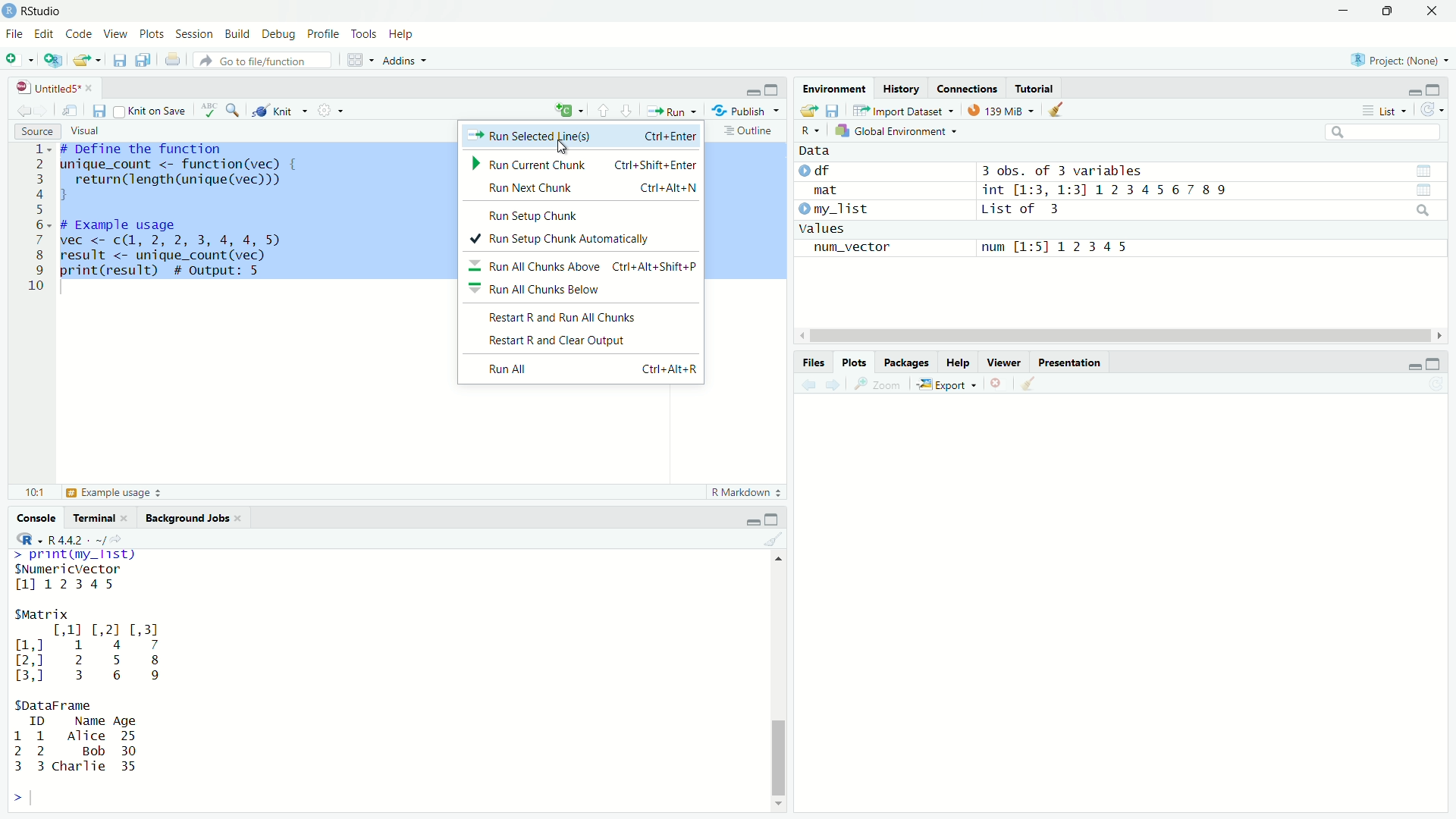 The image size is (1456, 819). Describe the element at coordinates (1006, 362) in the screenshot. I see `Viewer` at that location.